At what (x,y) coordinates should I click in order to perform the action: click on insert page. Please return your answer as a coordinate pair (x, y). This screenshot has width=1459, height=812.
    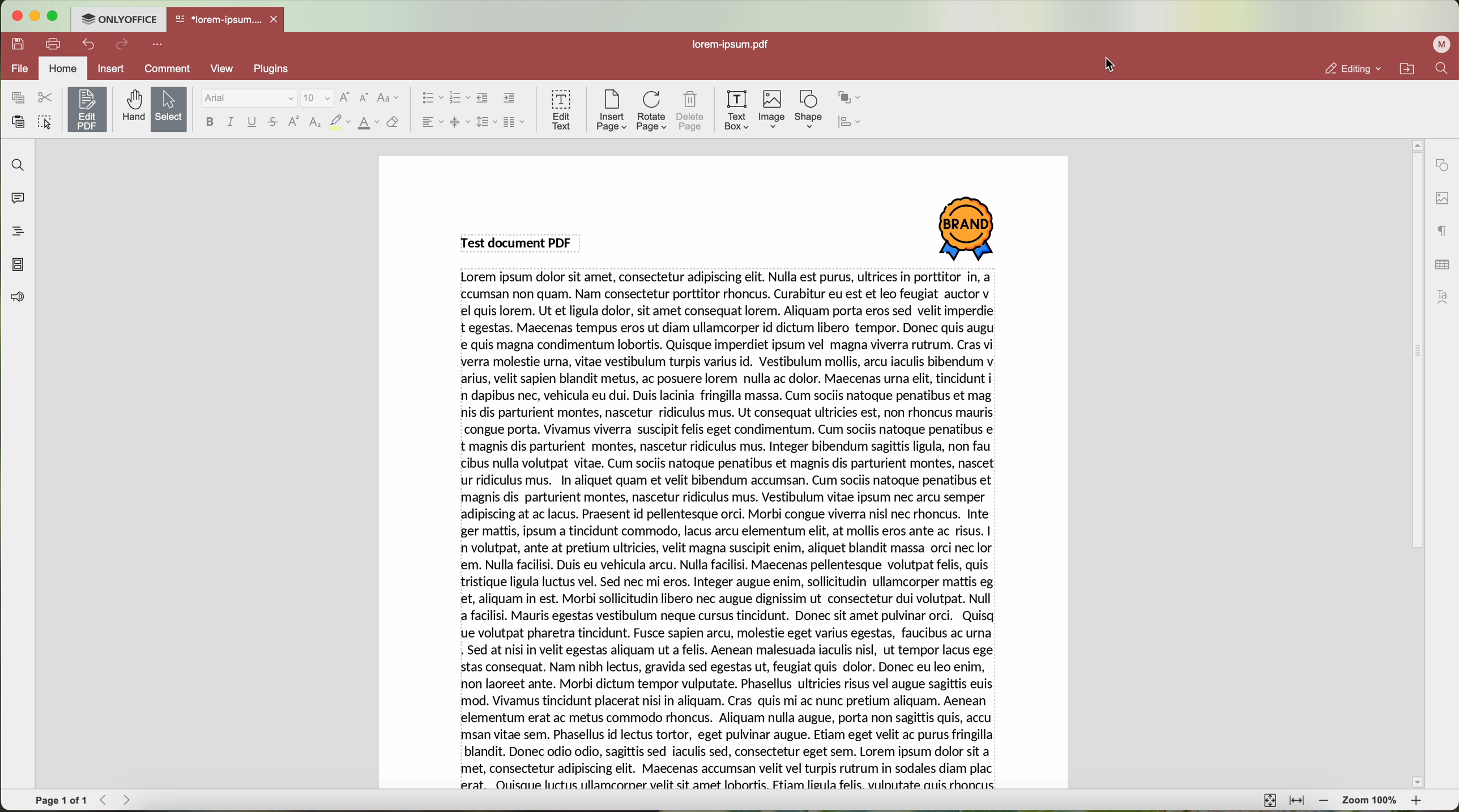
    Looking at the image, I should click on (611, 110).